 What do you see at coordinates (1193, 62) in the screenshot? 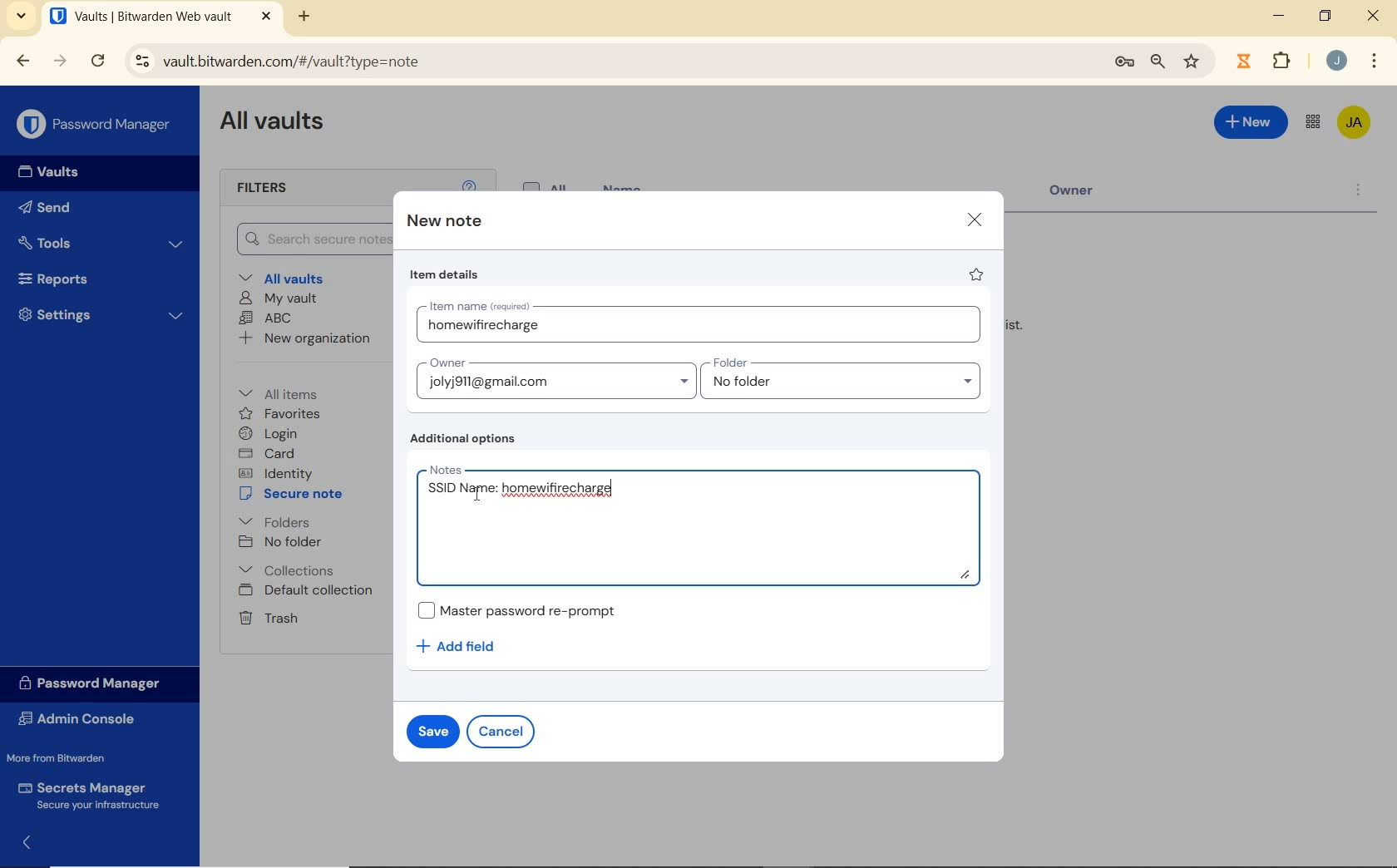
I see `bookmark` at bounding box center [1193, 62].